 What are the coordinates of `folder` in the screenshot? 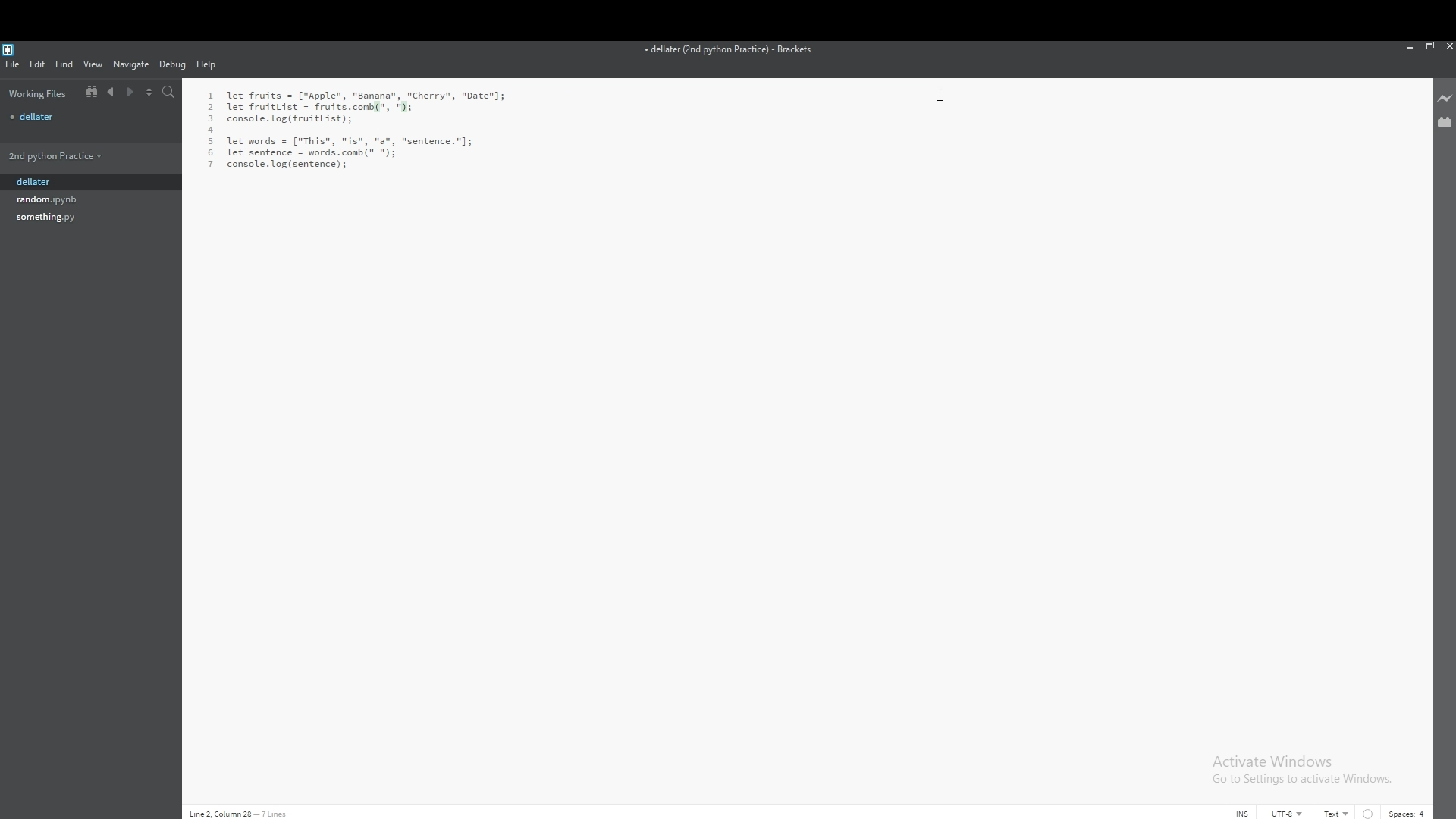 It's located at (69, 155).